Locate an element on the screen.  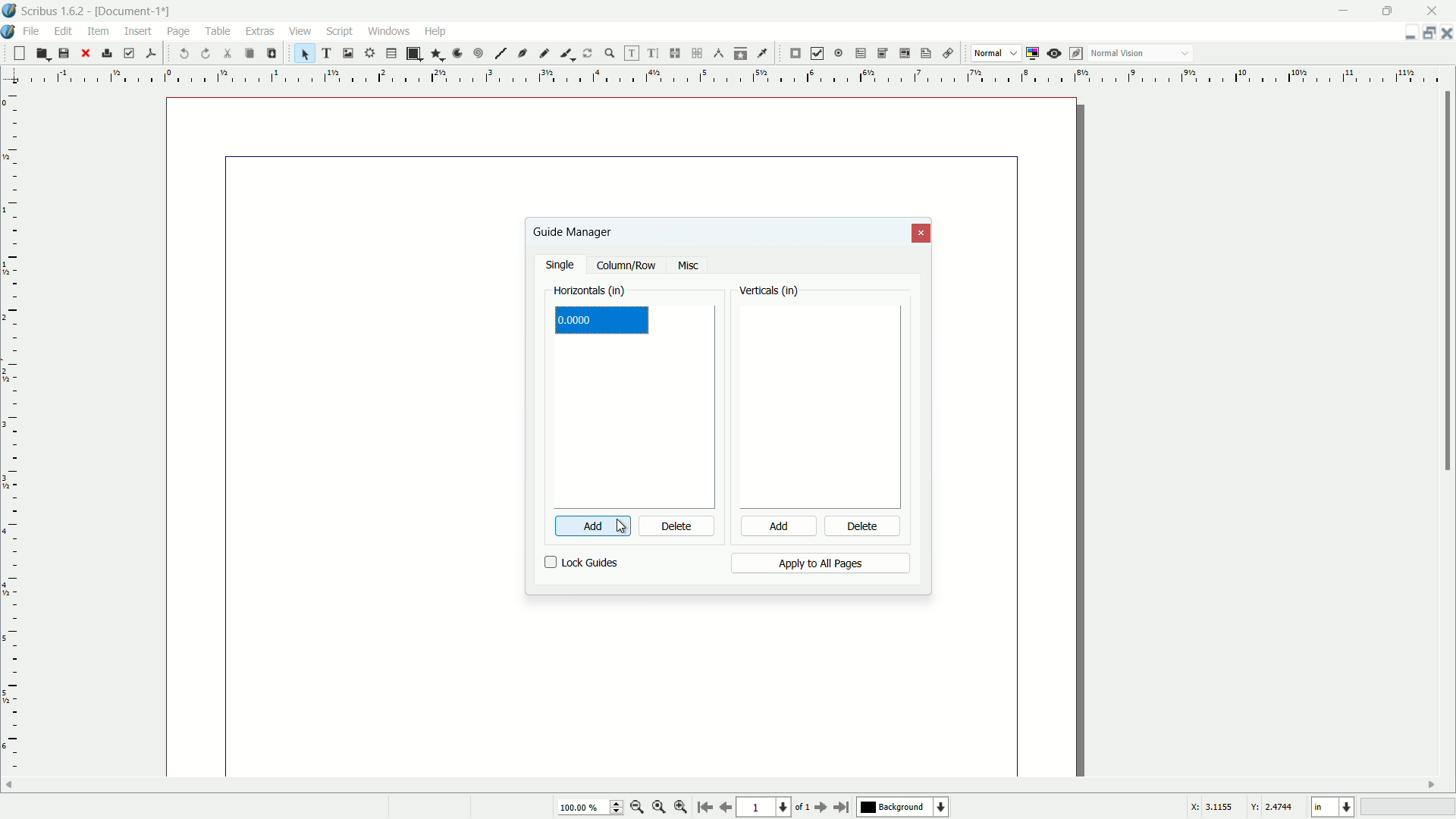
zoom to 100% is located at coordinates (659, 808).